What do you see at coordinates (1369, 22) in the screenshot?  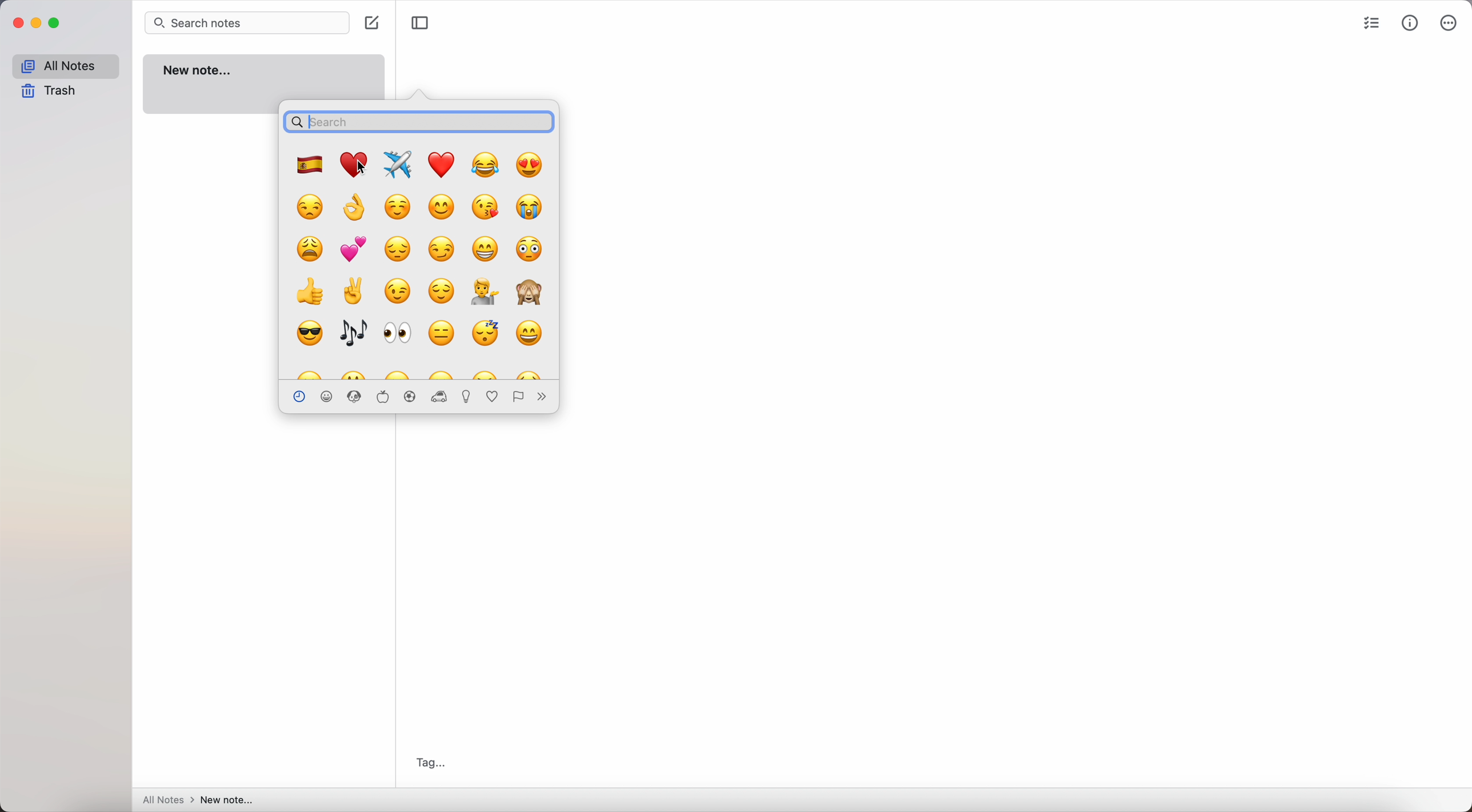 I see `check list` at bounding box center [1369, 22].